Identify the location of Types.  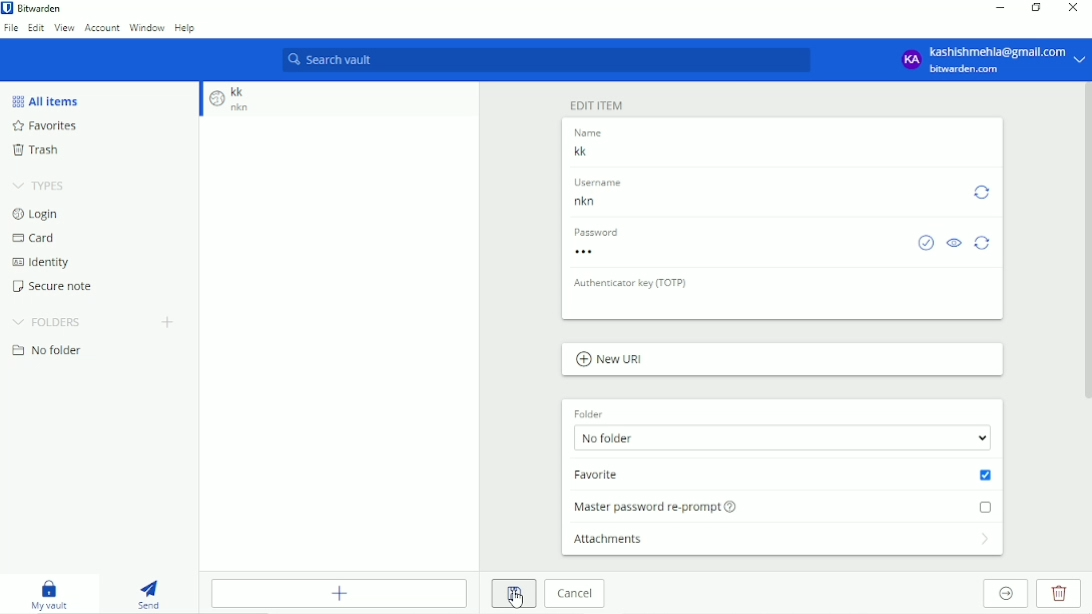
(42, 186).